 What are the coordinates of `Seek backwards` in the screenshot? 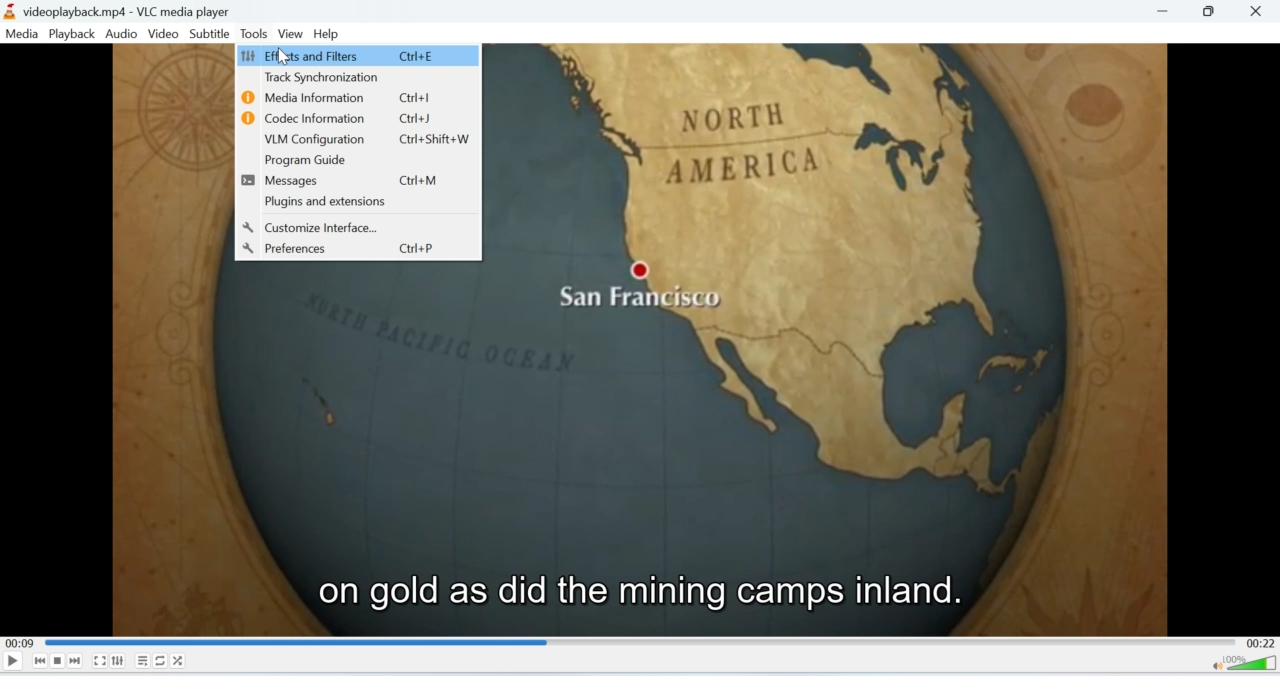 It's located at (41, 662).